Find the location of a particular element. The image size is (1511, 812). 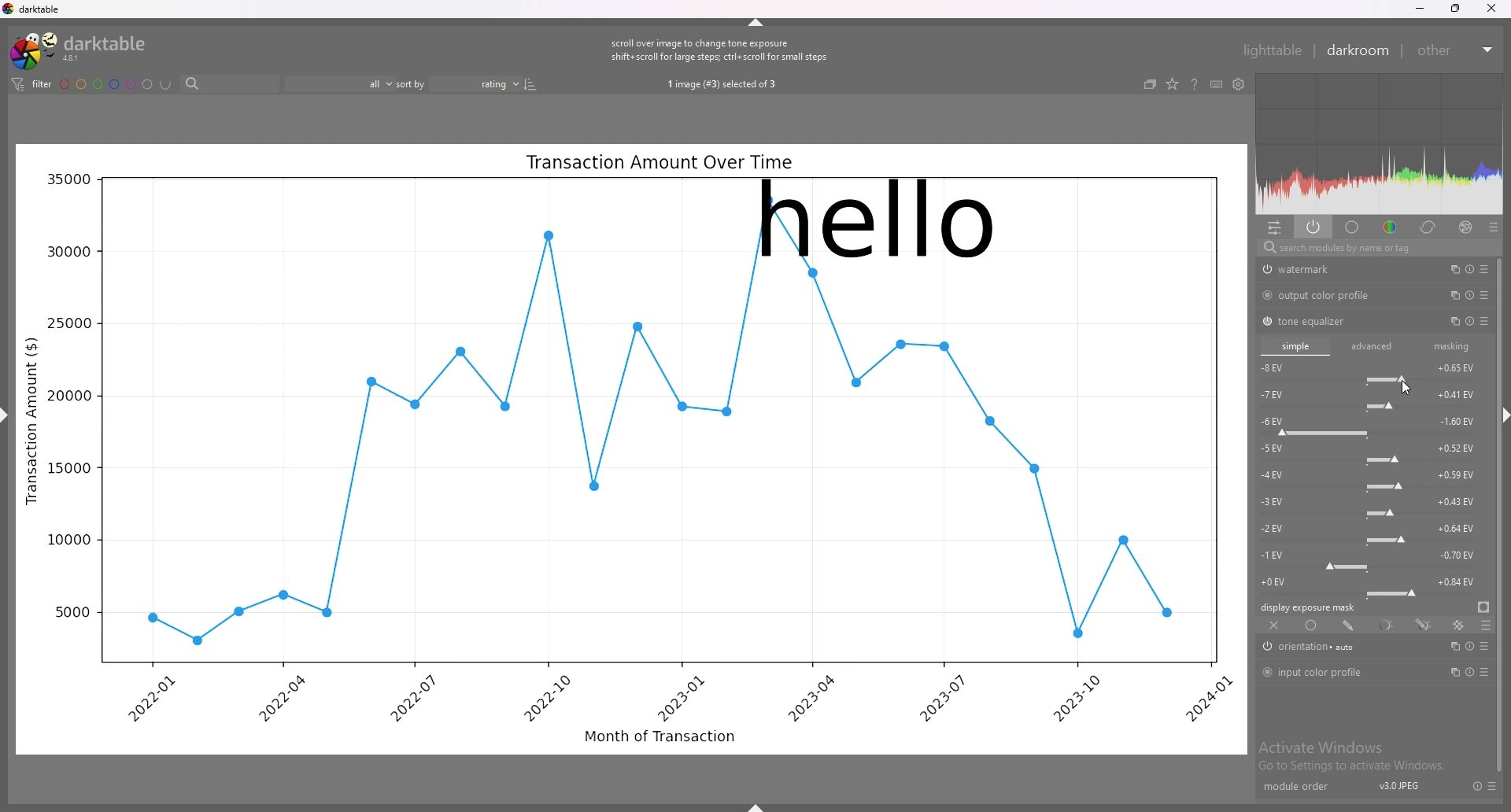

scroll over image to change tone exposure shift+scroll for large steps; ctrl+ scroll for small steps. is located at coordinates (721, 50).